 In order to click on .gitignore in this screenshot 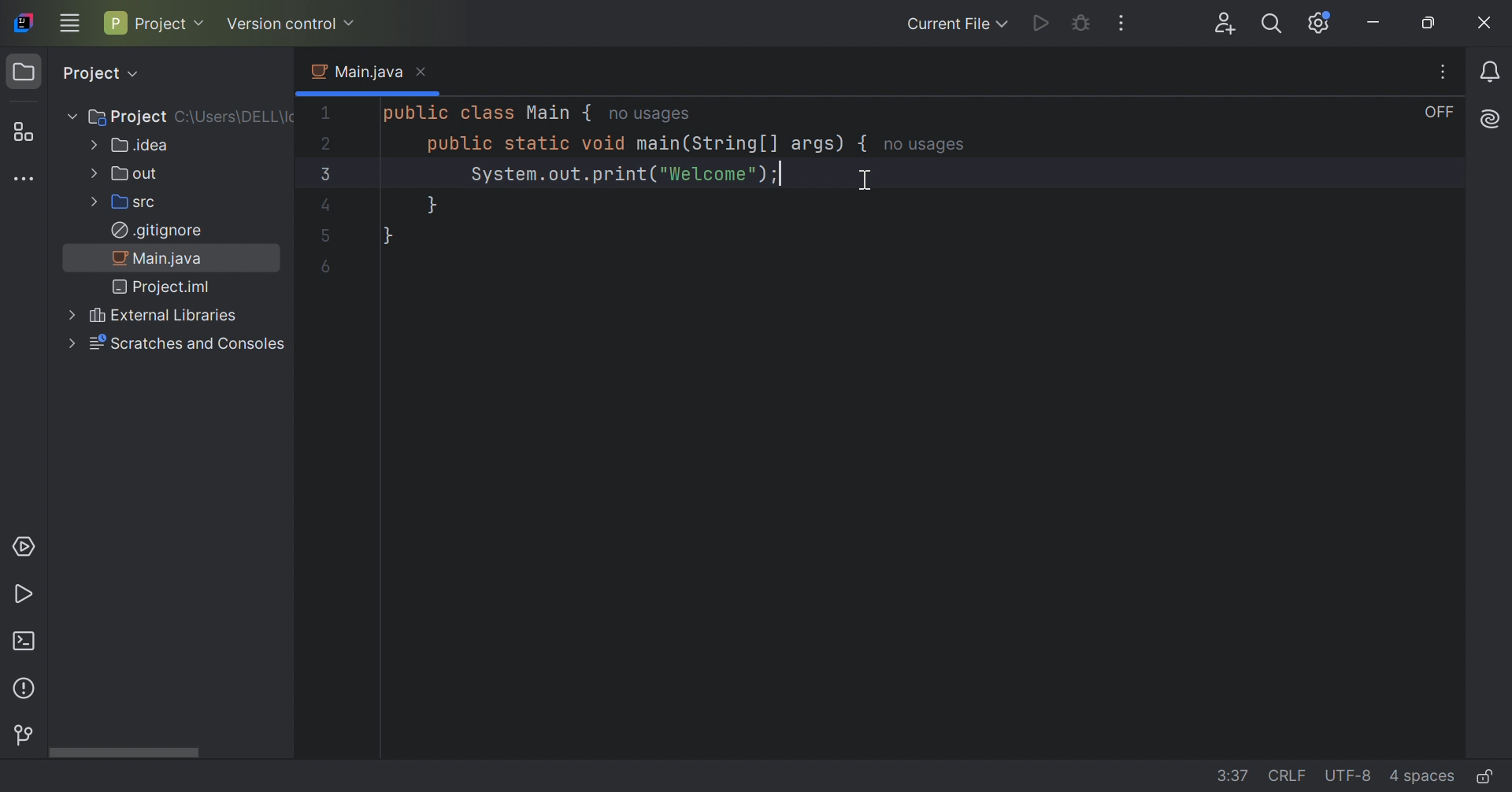, I will do `click(156, 231)`.